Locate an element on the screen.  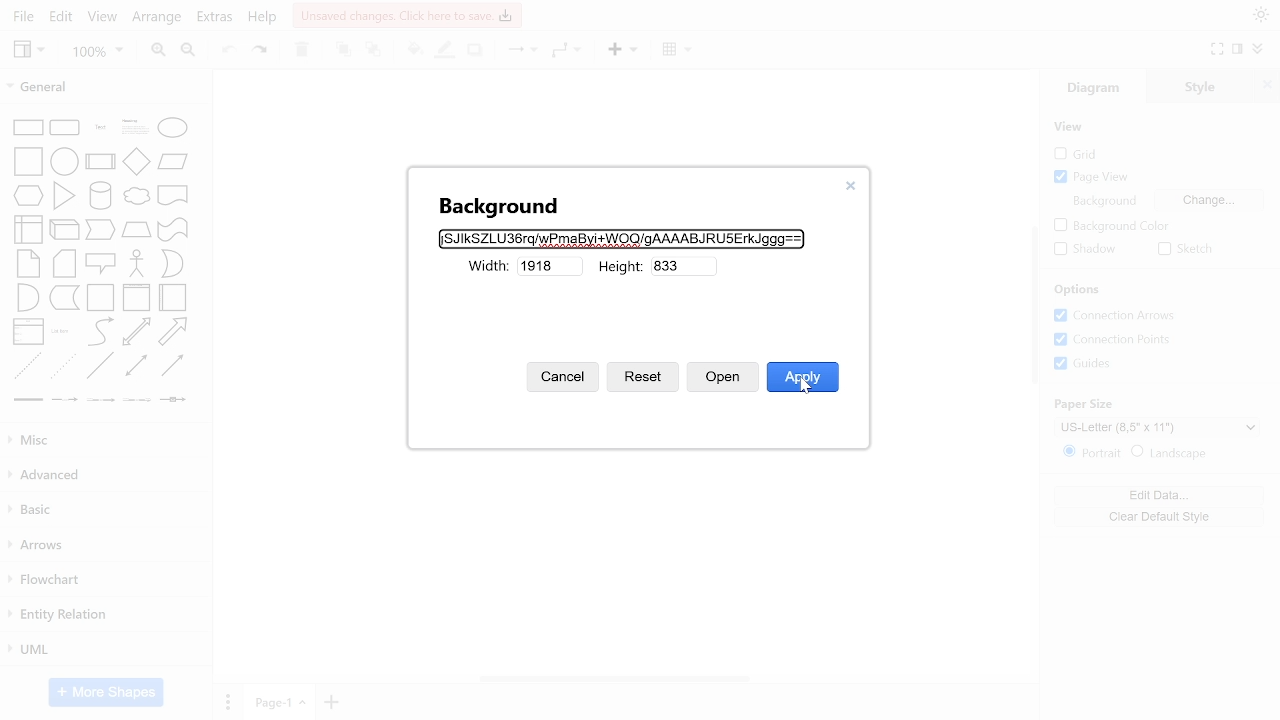
edit is located at coordinates (63, 16).